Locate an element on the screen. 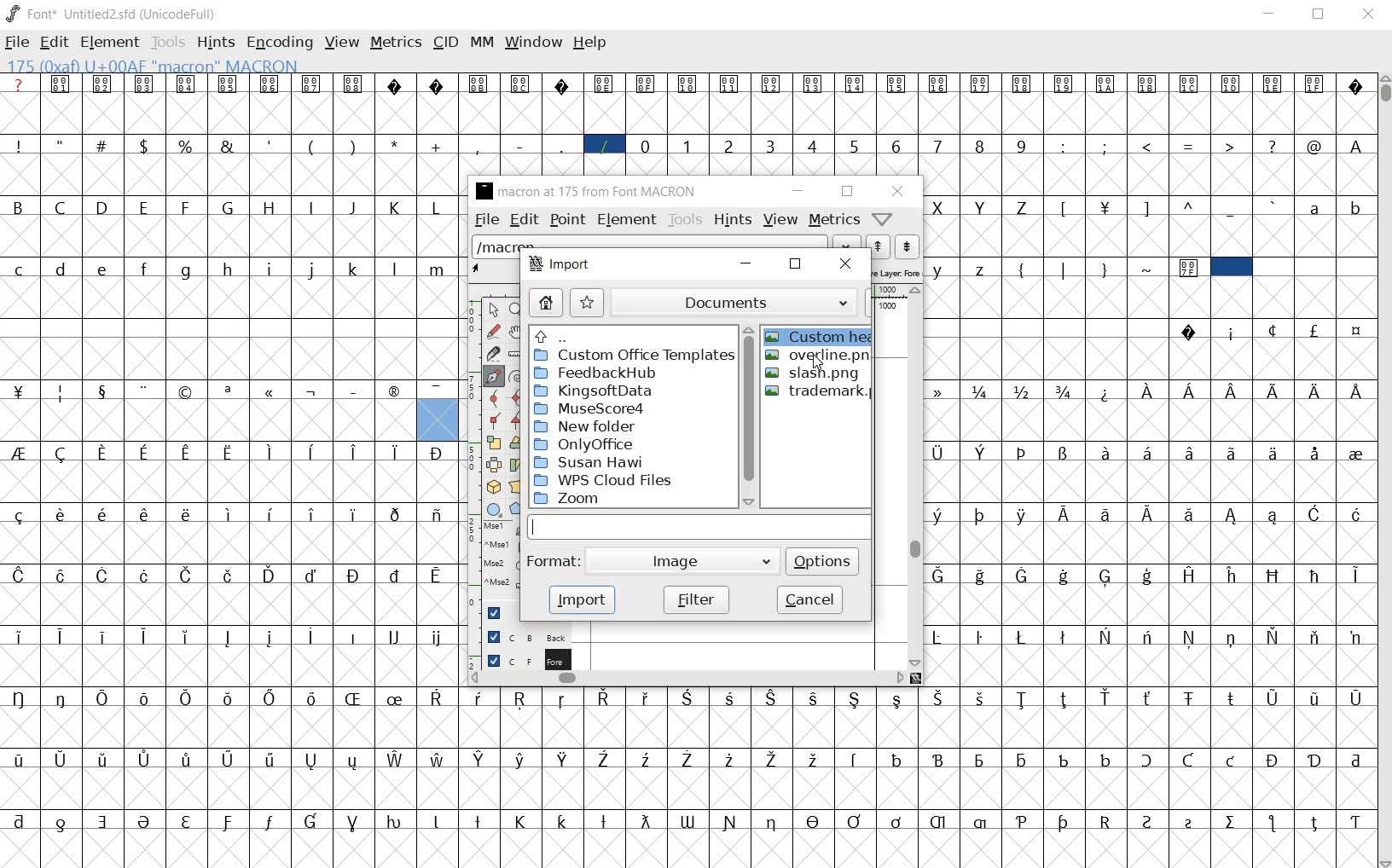  HV curve is located at coordinates (514, 398).